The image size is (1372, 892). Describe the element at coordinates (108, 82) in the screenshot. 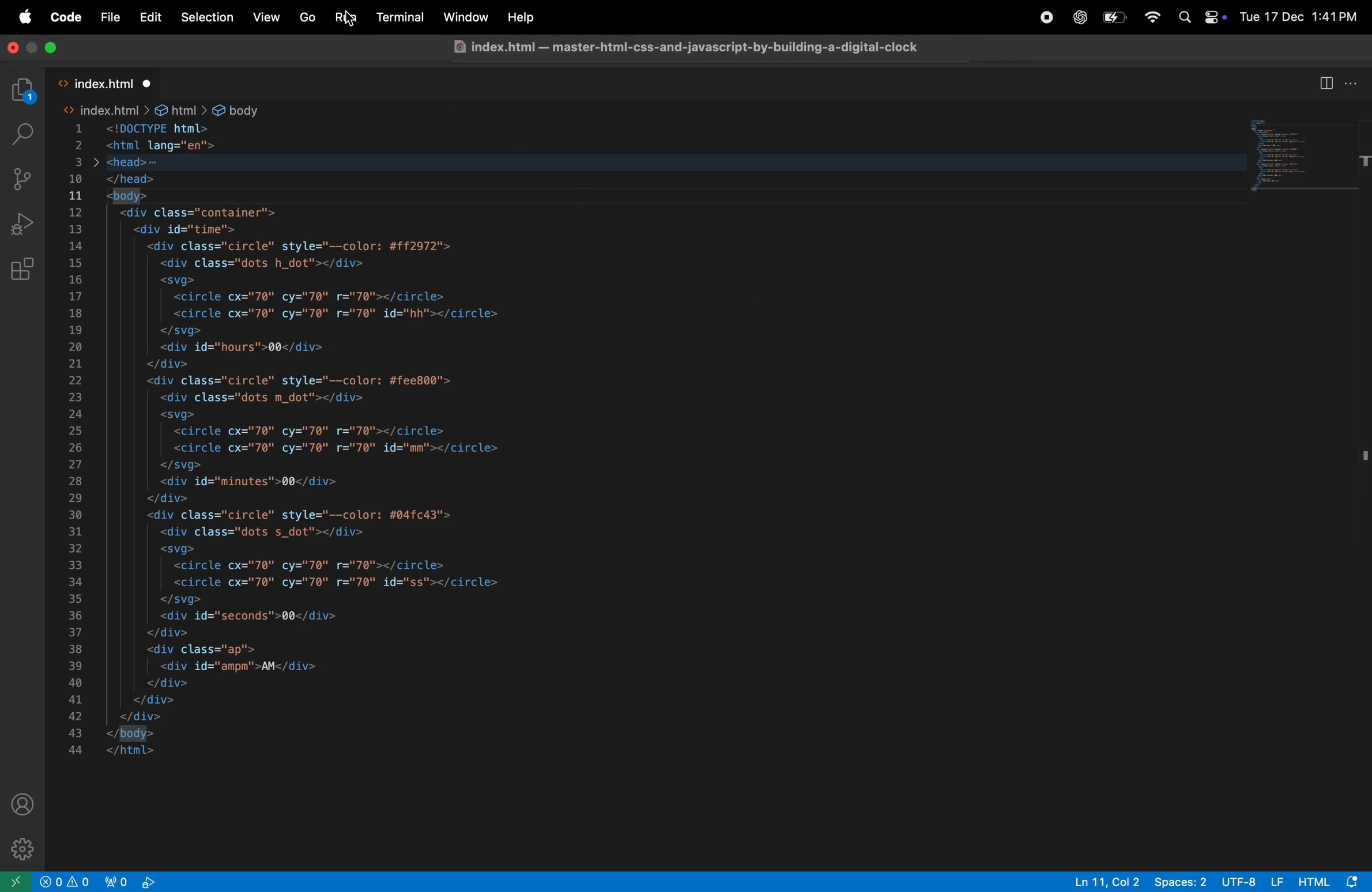

I see `index.html` at that location.